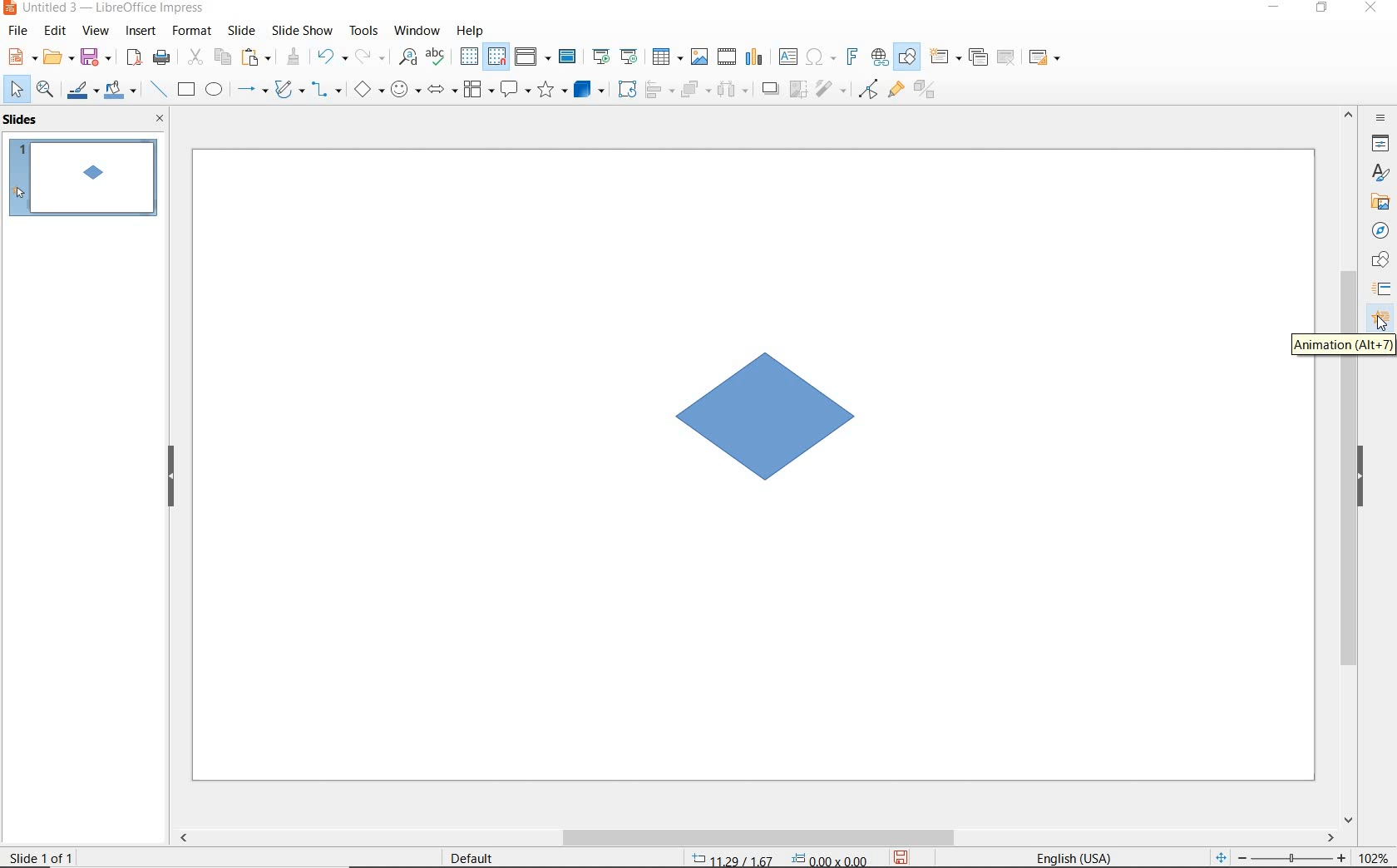 This screenshot has height=868, width=1397. What do you see at coordinates (1384, 292) in the screenshot?
I see `slide transition` at bounding box center [1384, 292].